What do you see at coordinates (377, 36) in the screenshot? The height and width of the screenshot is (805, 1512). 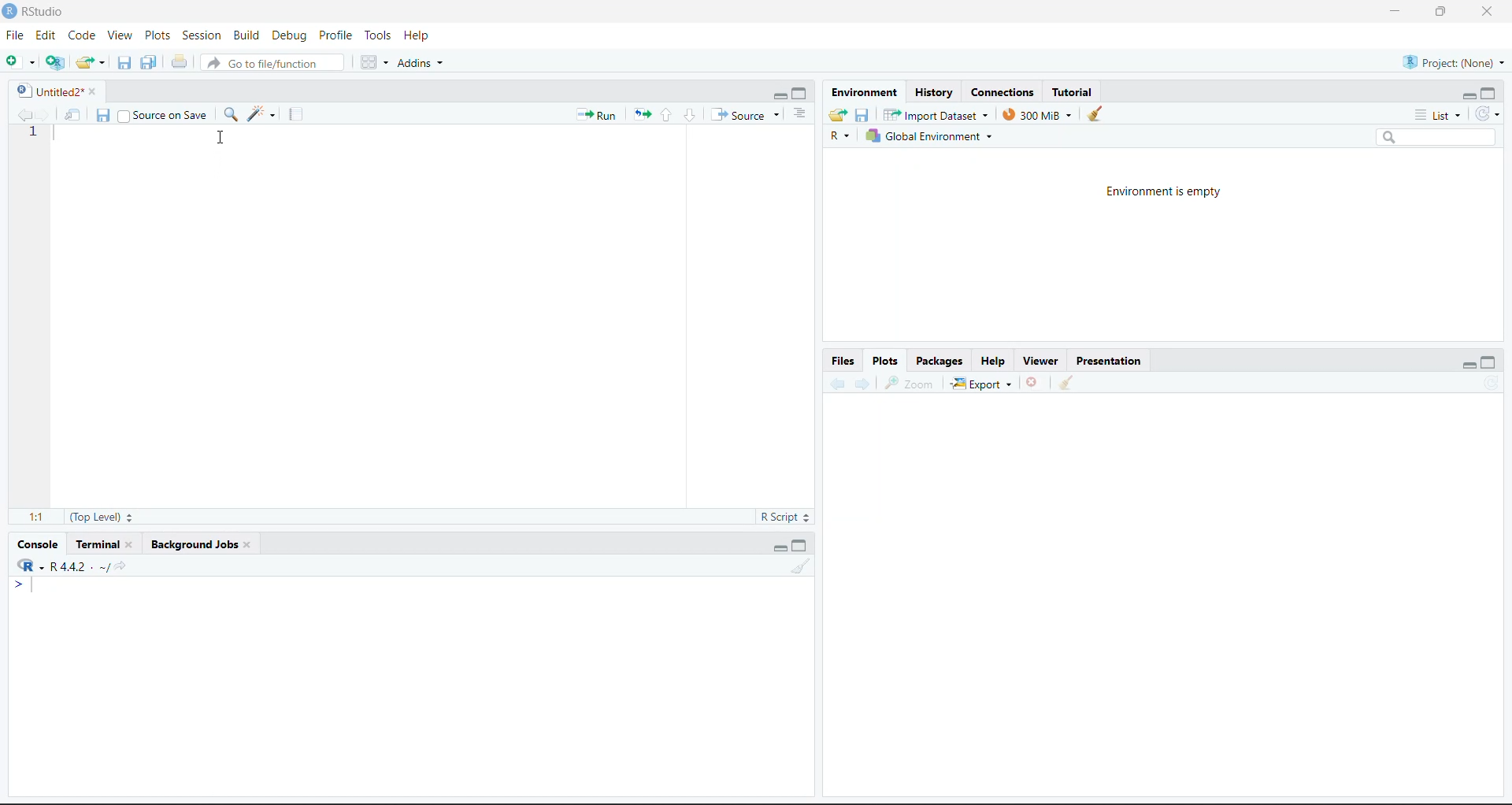 I see `Tools` at bounding box center [377, 36].